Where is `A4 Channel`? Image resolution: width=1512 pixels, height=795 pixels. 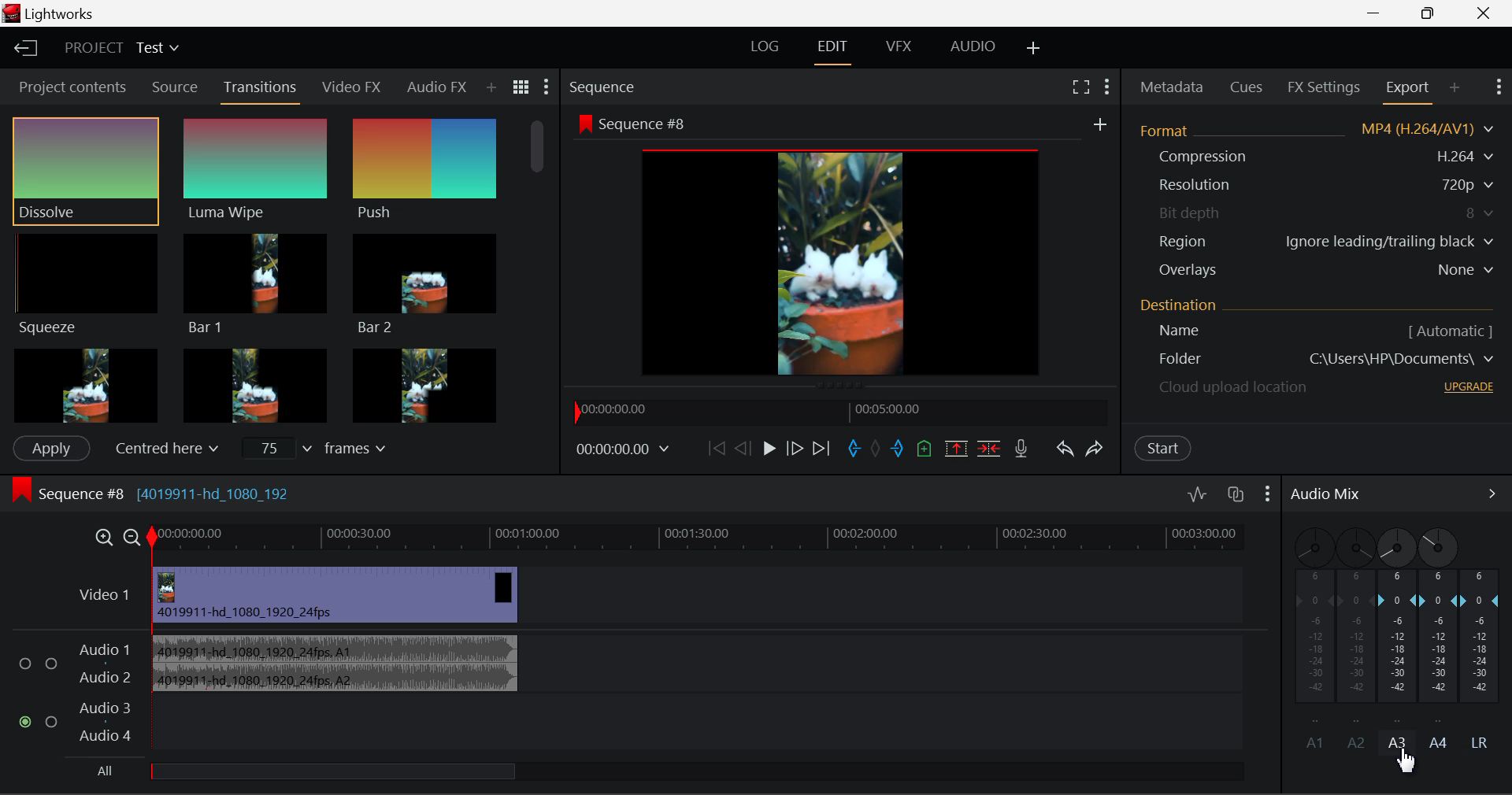
A4 Channel is located at coordinates (1440, 623).